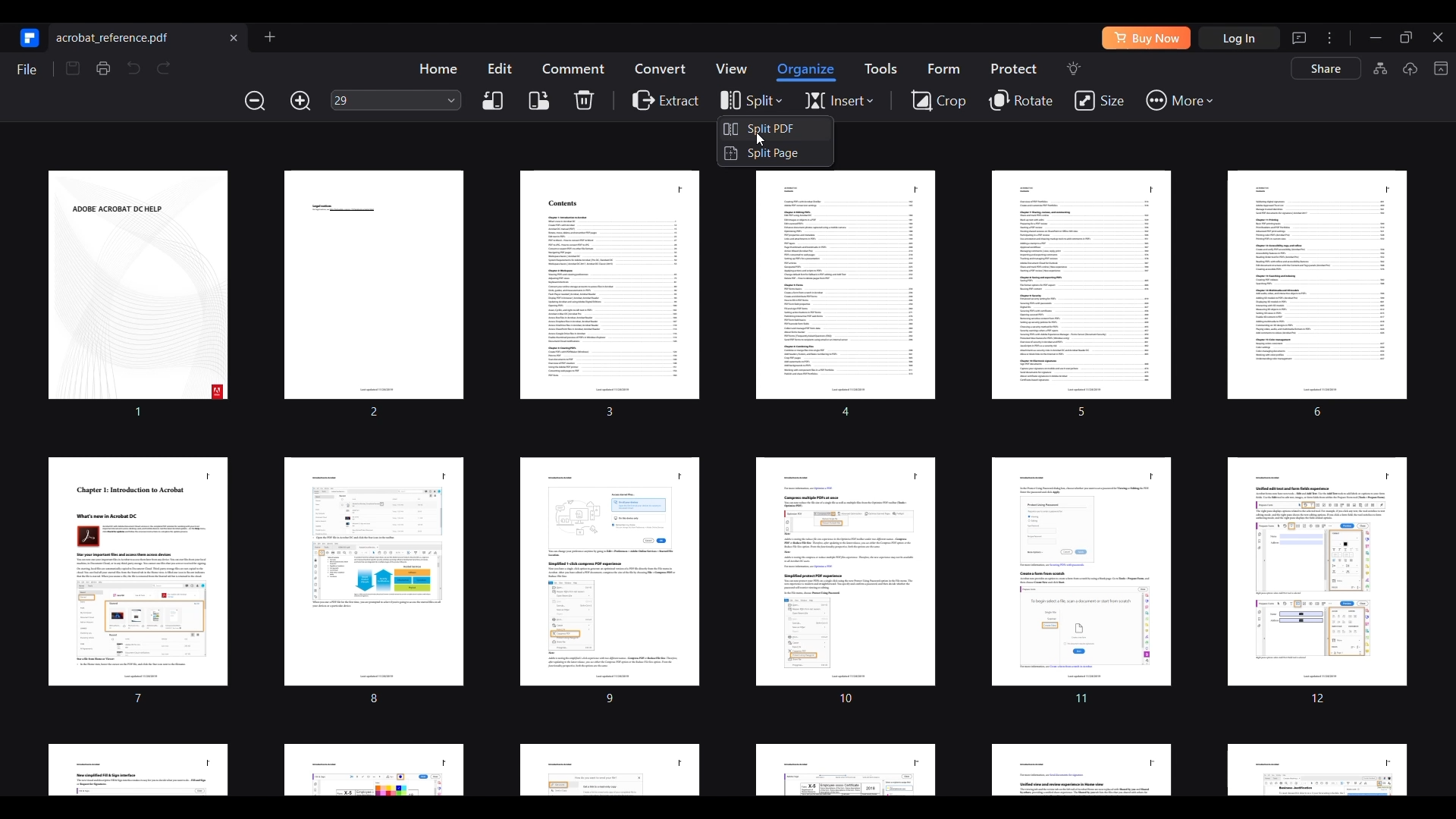 This screenshot has width=1456, height=819. What do you see at coordinates (27, 37) in the screenshot?
I see `Go to start page` at bounding box center [27, 37].